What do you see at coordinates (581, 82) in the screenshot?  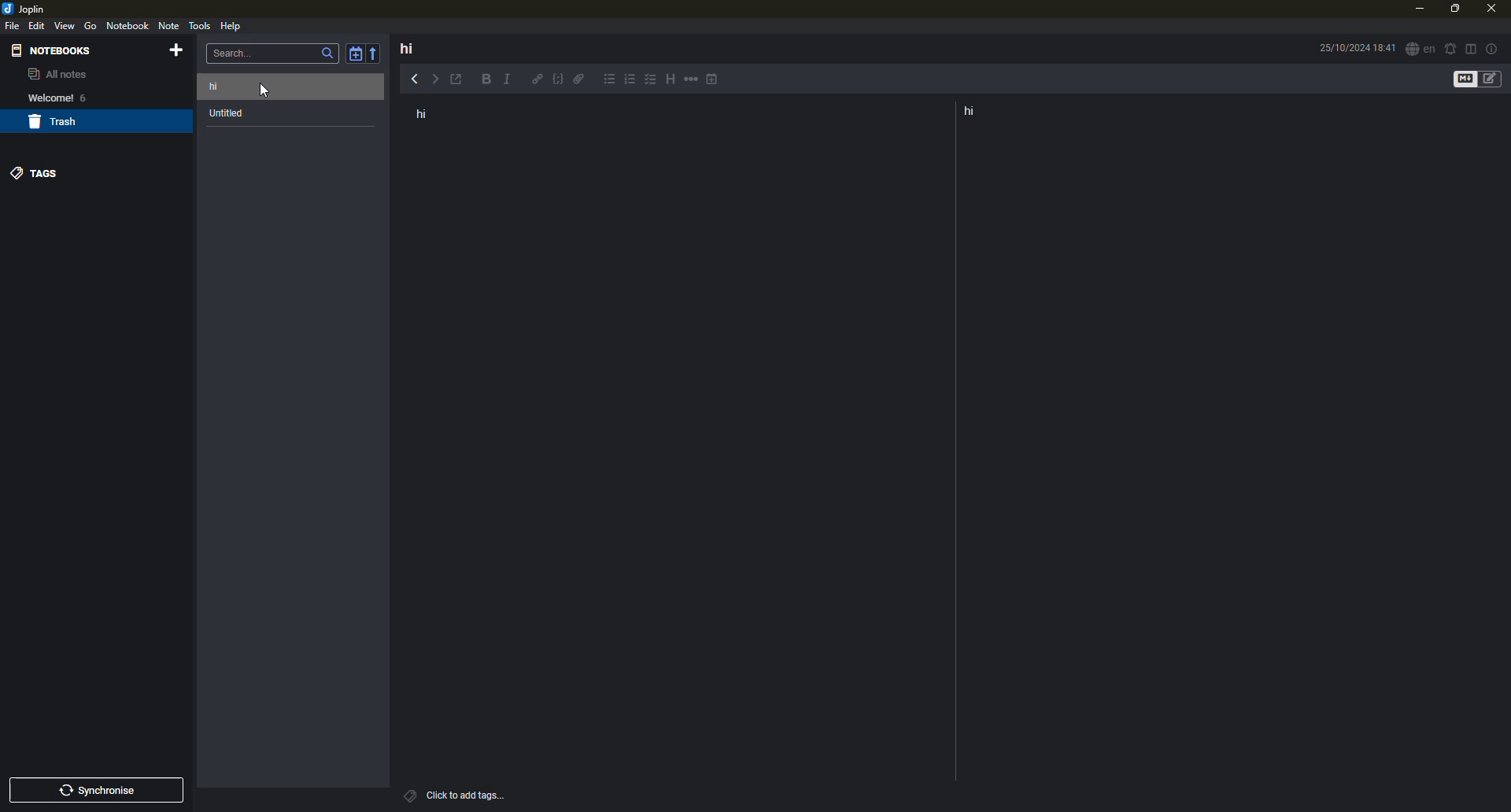 I see `attach file` at bounding box center [581, 82].